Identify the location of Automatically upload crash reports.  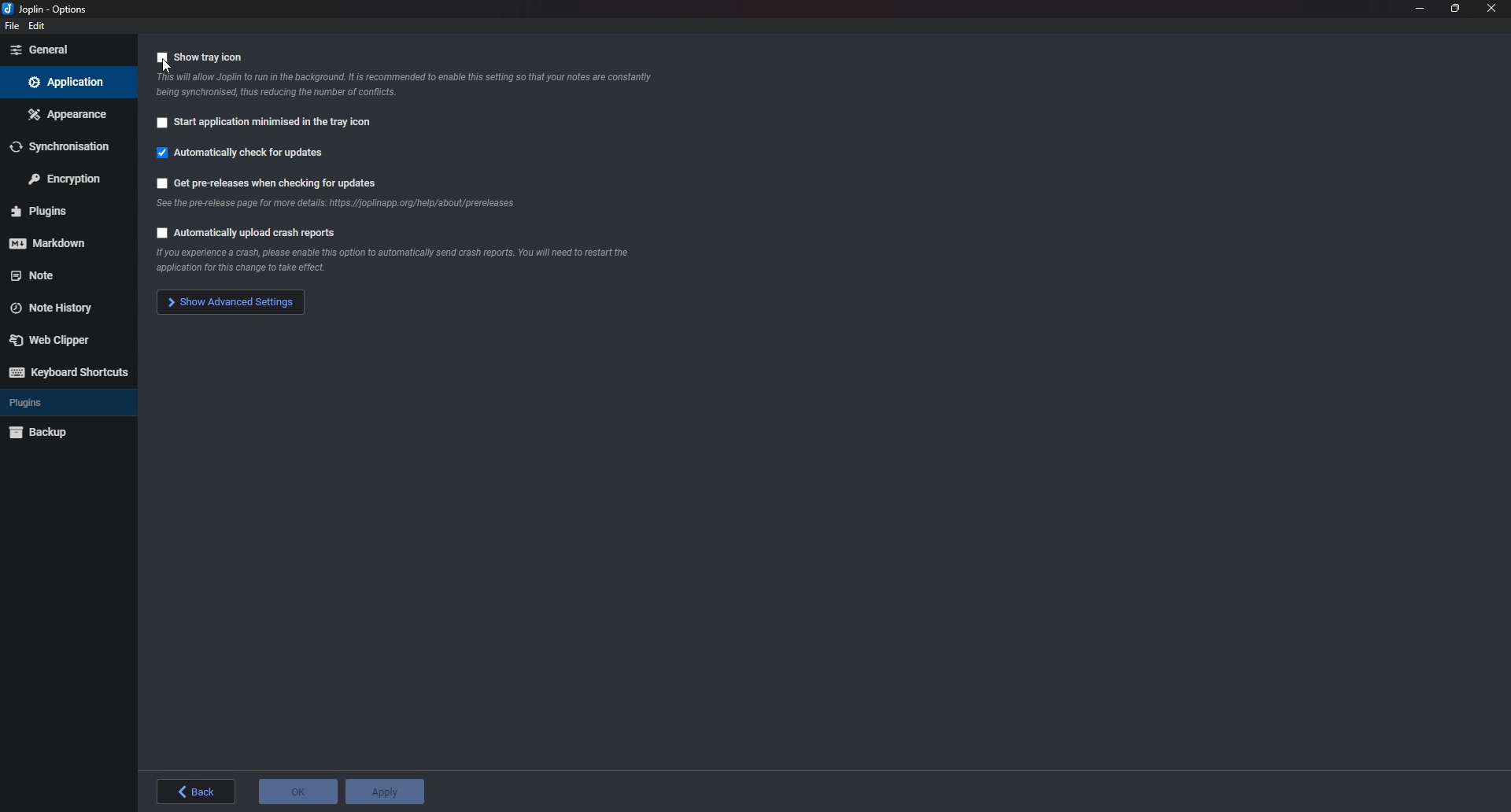
(246, 235).